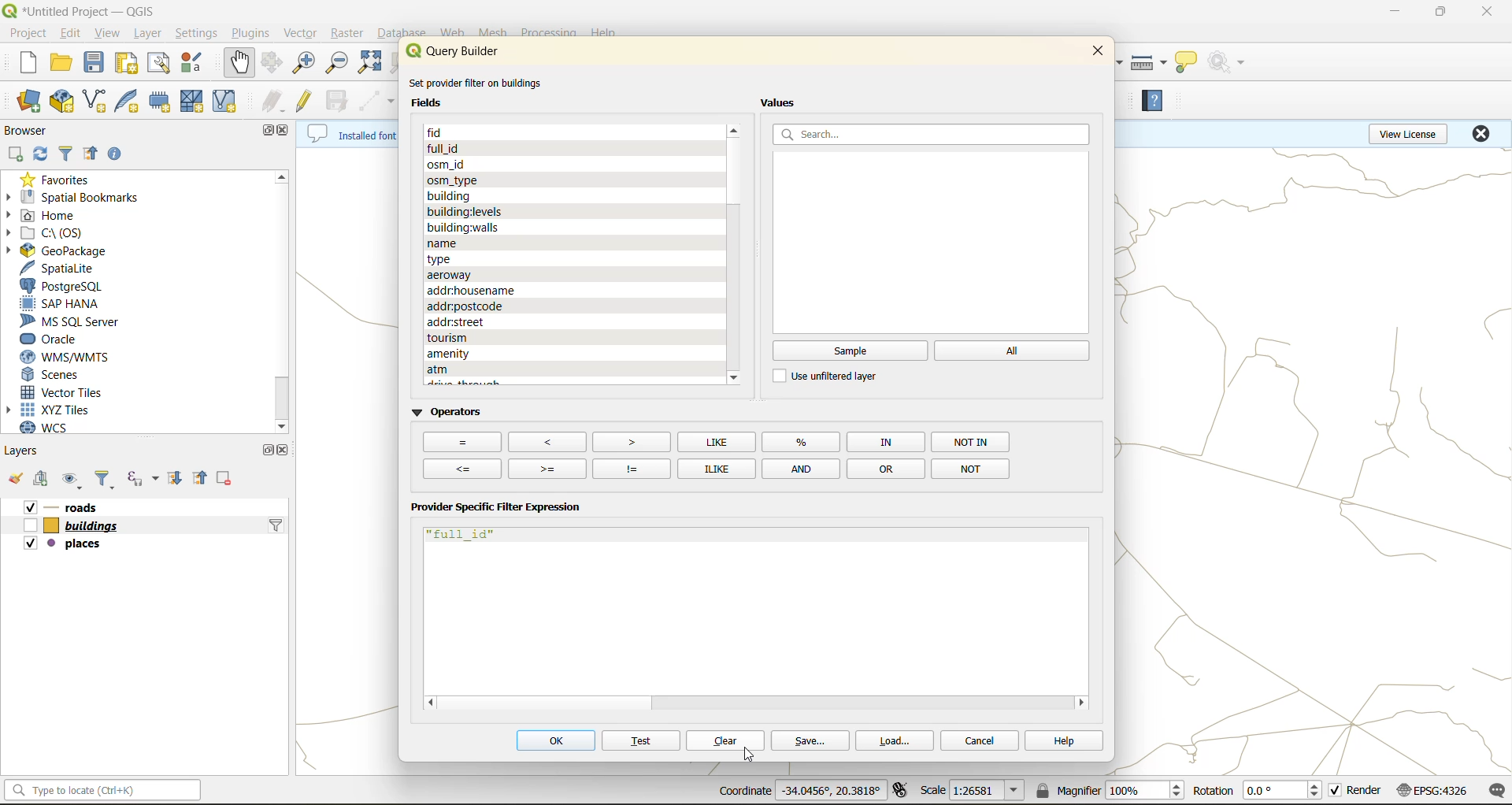 This screenshot has width=1512, height=805. What do you see at coordinates (447, 148) in the screenshot?
I see `fields` at bounding box center [447, 148].